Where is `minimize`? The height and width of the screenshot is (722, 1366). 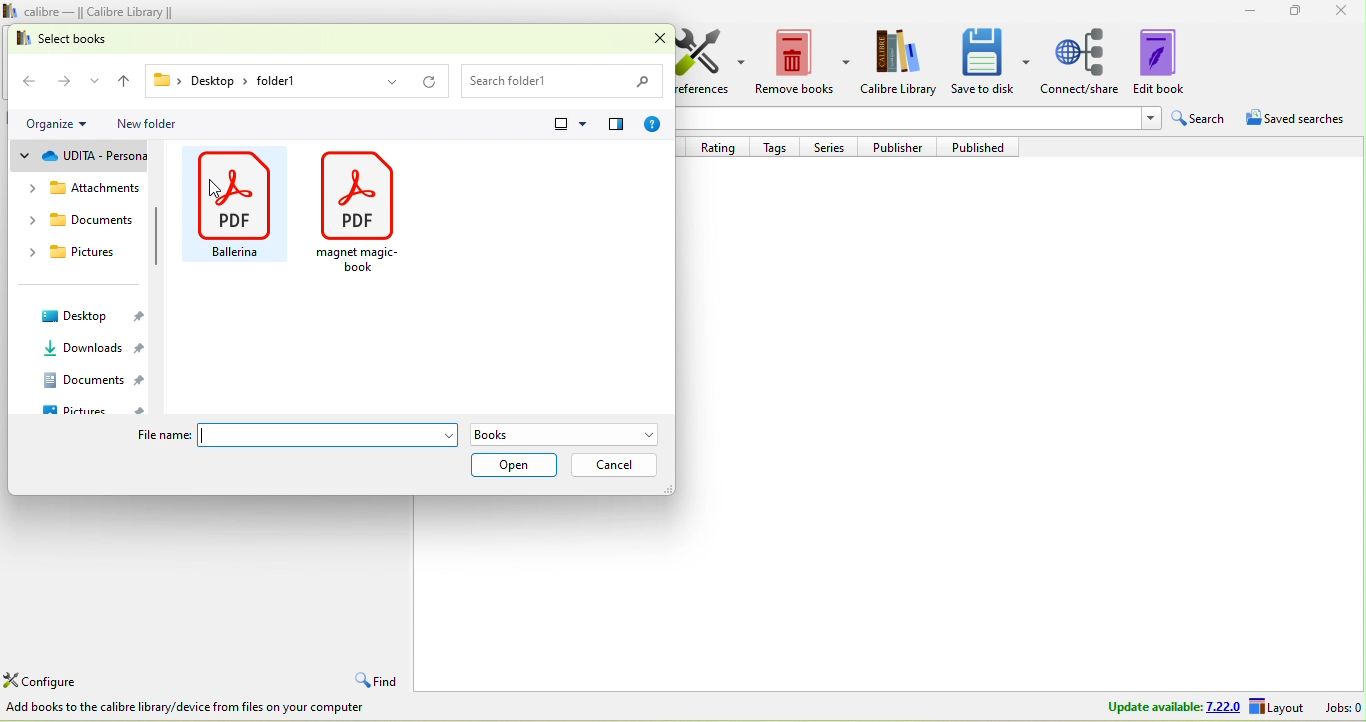
minimize is located at coordinates (1245, 11).